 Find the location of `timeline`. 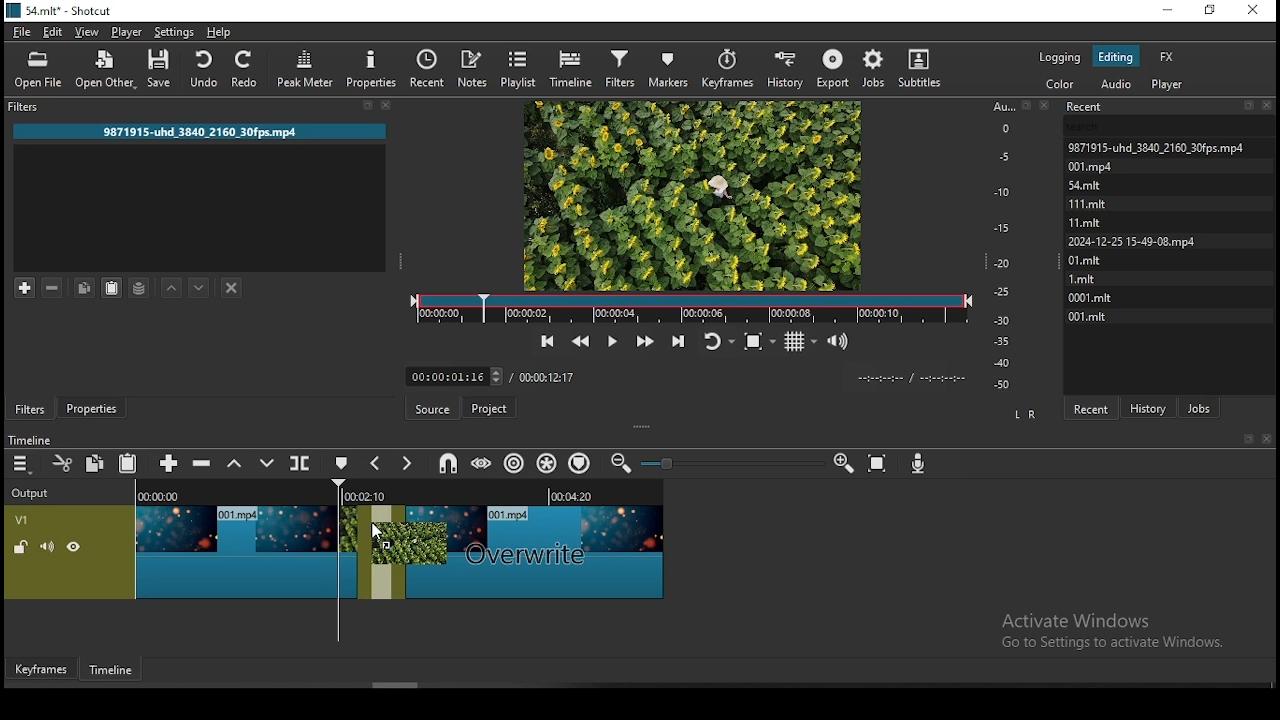

timeline is located at coordinates (573, 67).